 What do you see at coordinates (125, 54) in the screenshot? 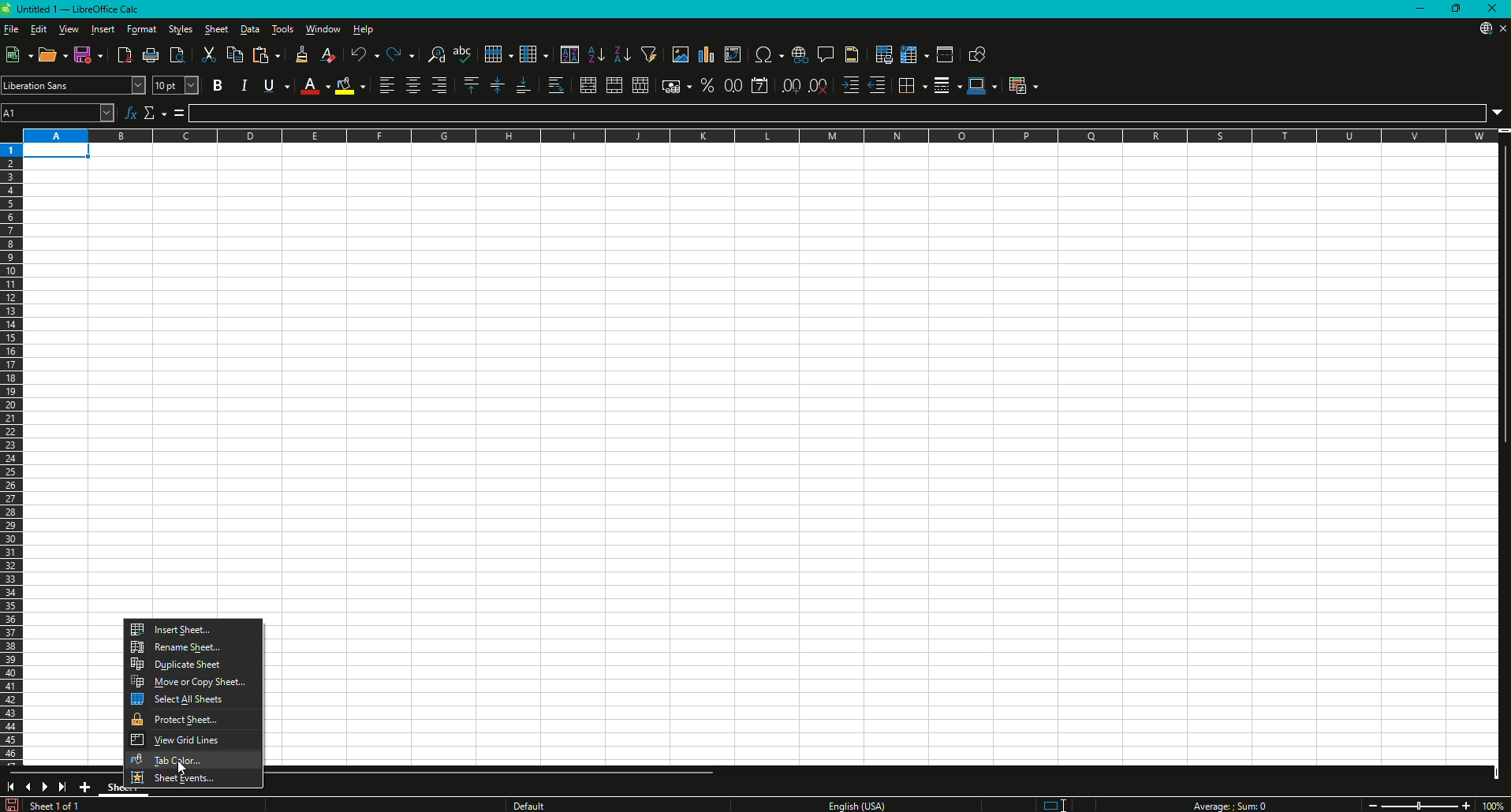
I see `Export Directly as PDF` at bounding box center [125, 54].